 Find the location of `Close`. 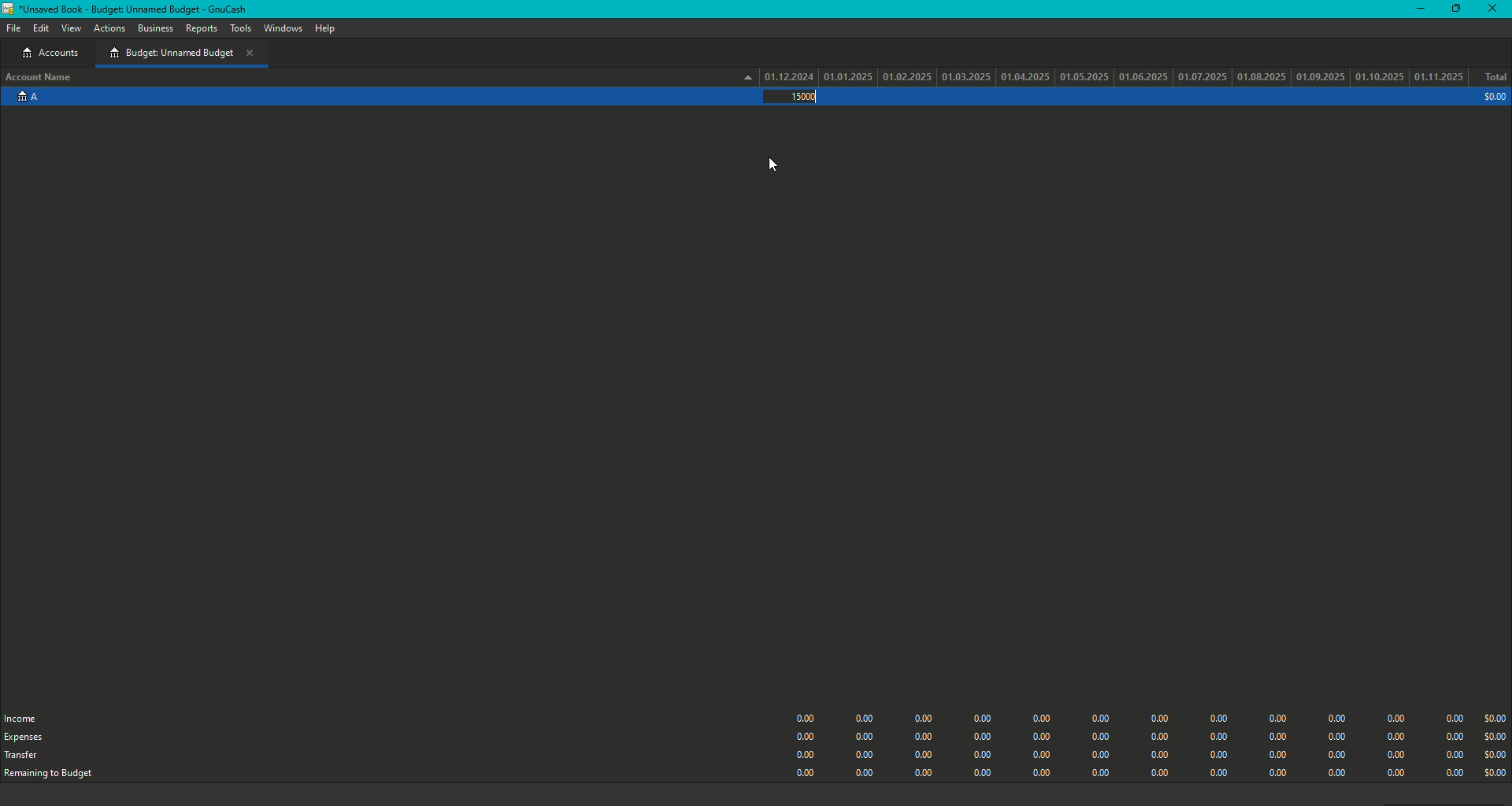

Close is located at coordinates (1495, 9).